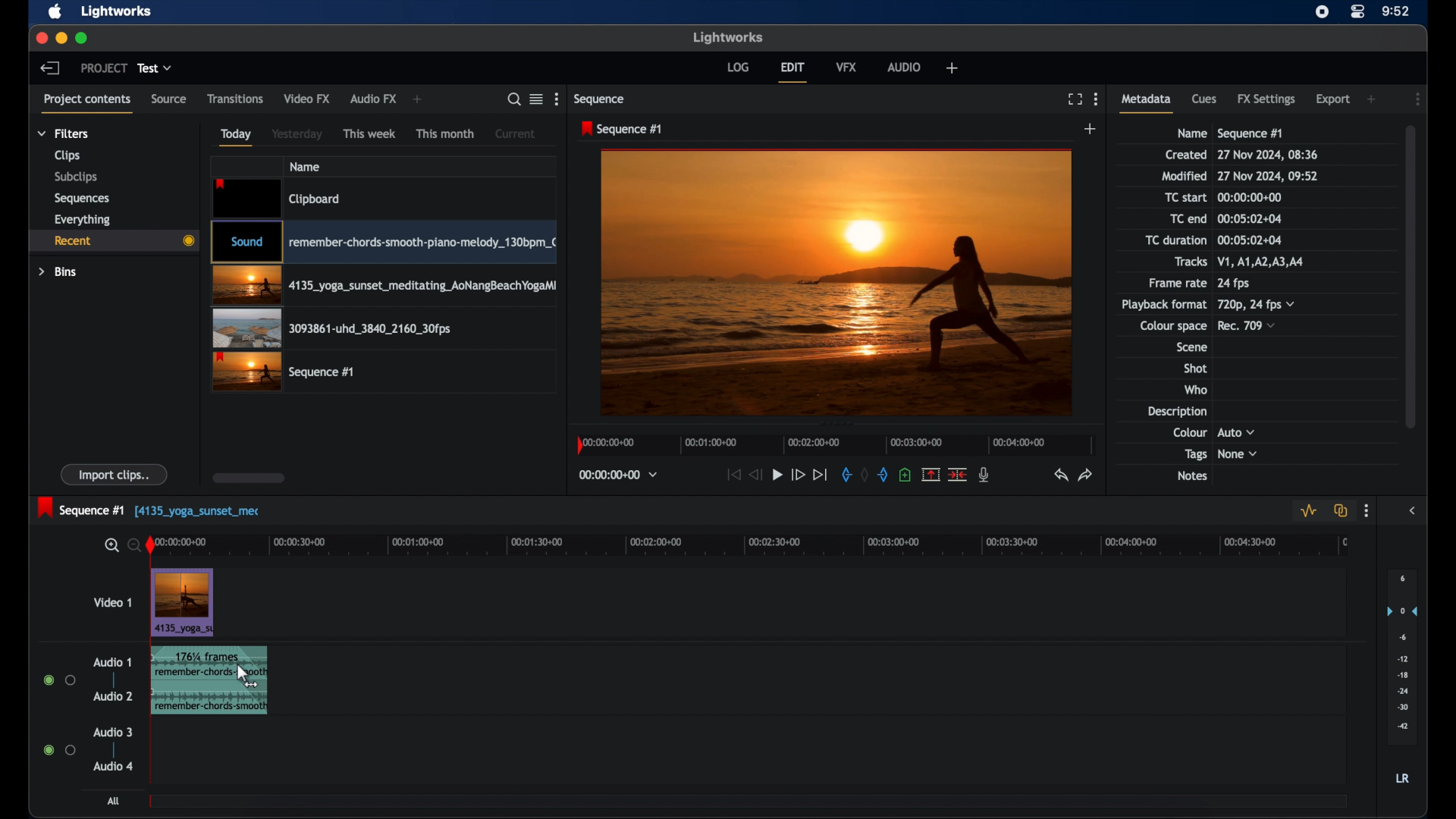 This screenshot has height=819, width=1456. I want to click on zoom out, so click(130, 544).